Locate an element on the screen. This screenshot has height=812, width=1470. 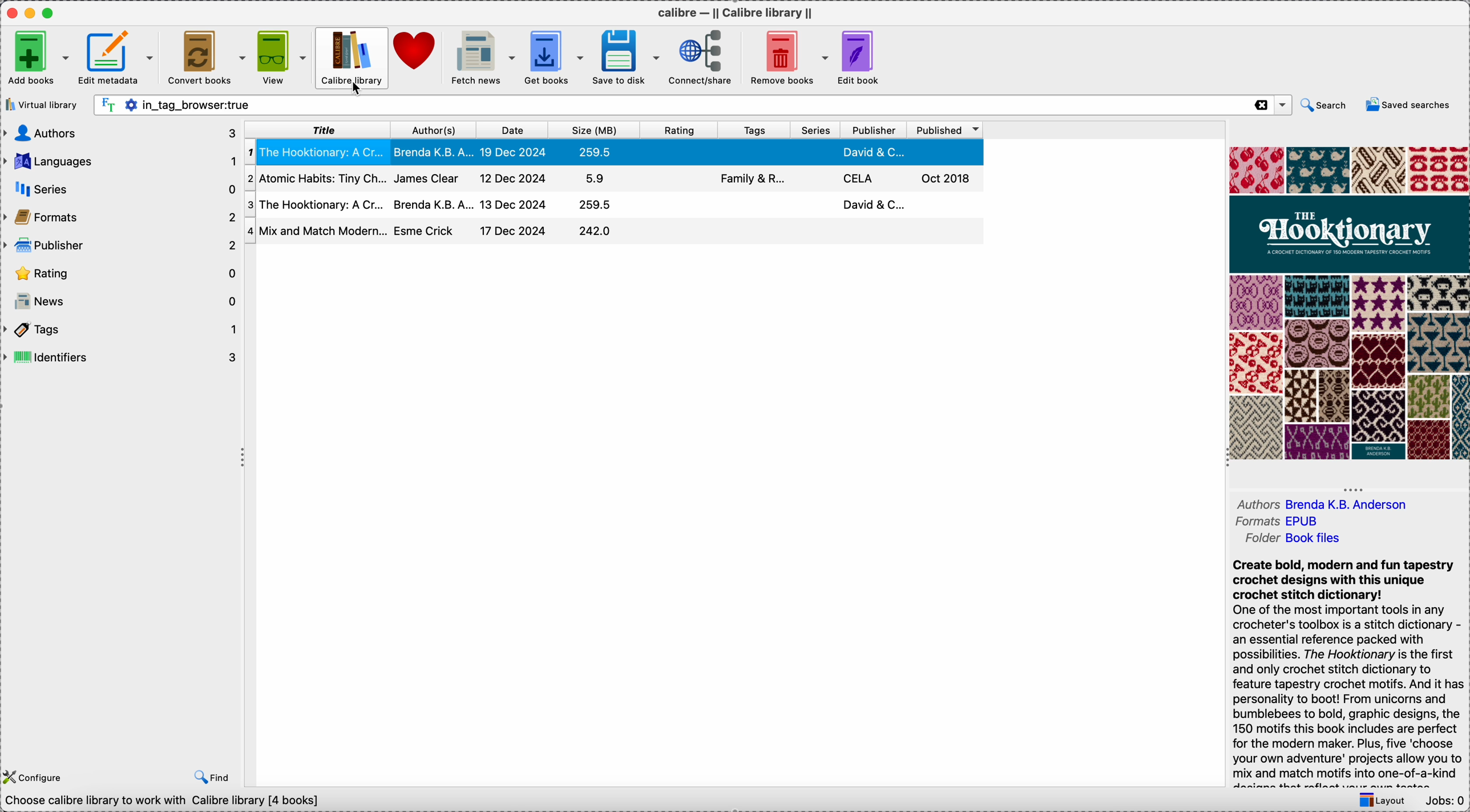
edit metadata is located at coordinates (118, 61).